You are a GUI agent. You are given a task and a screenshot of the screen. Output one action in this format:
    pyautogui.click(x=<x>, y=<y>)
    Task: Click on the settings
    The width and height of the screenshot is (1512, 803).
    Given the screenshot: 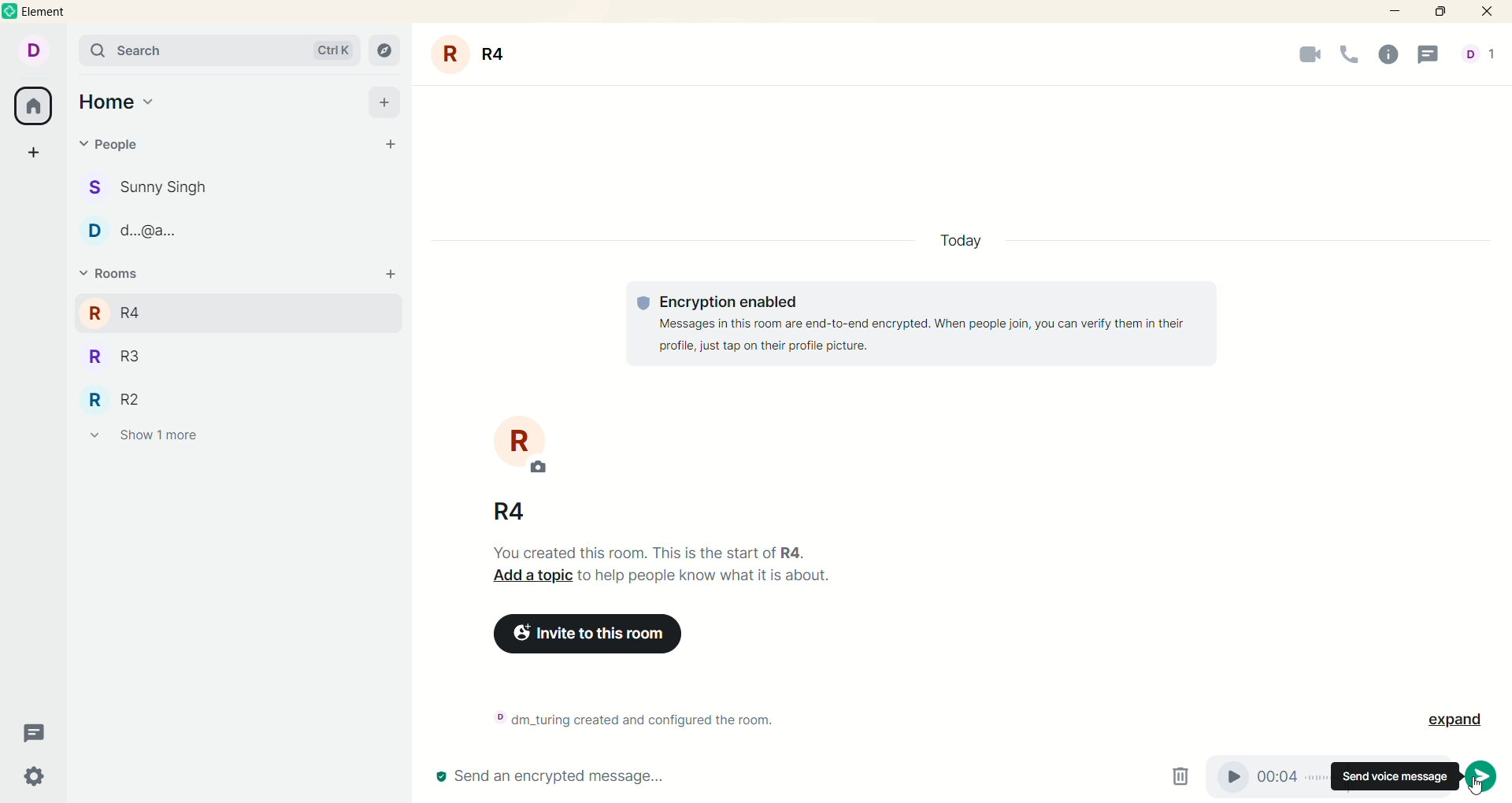 What is the action you would take?
    pyautogui.click(x=35, y=777)
    